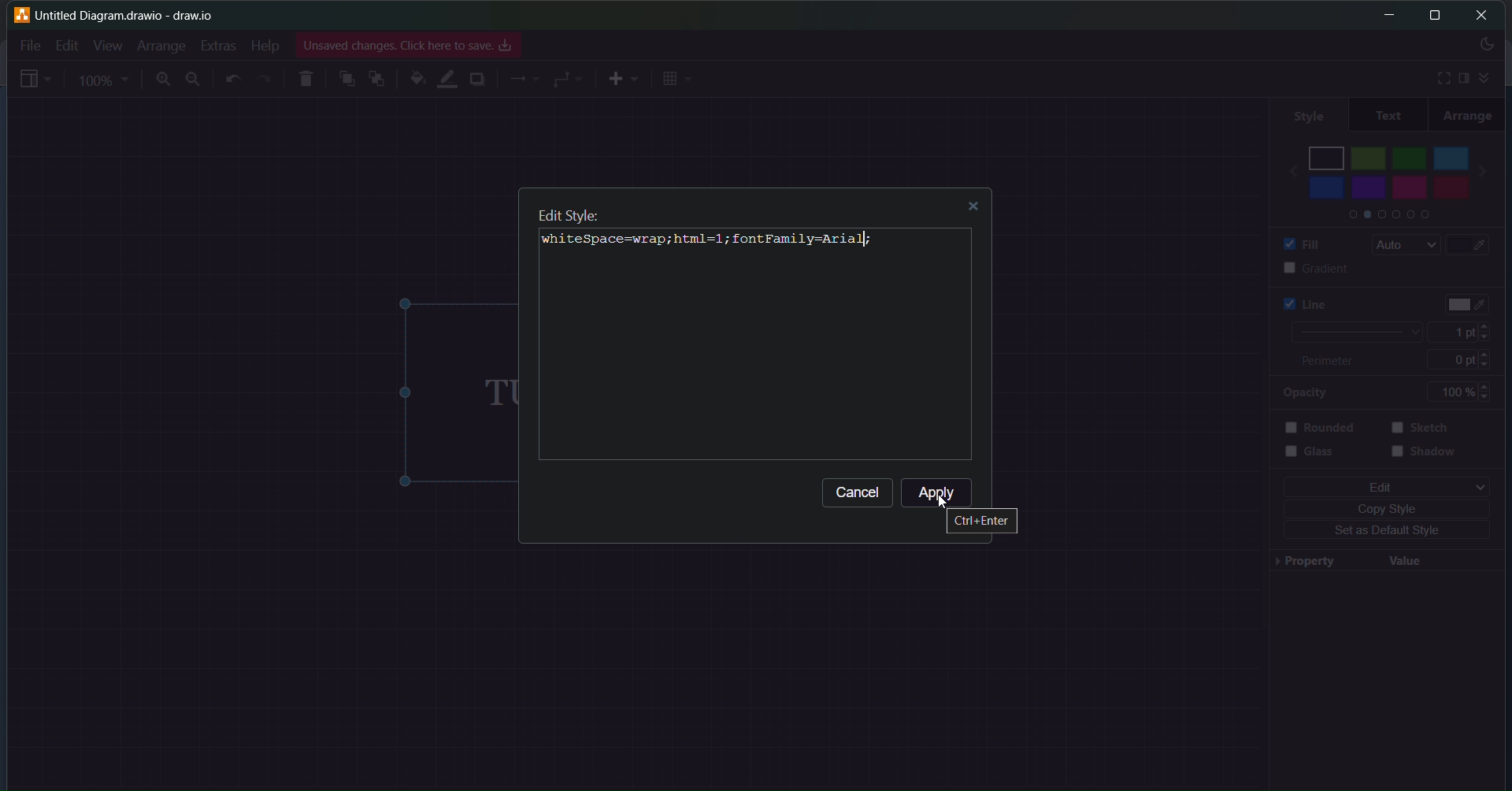  Describe the element at coordinates (1285, 166) in the screenshot. I see `back` at that location.